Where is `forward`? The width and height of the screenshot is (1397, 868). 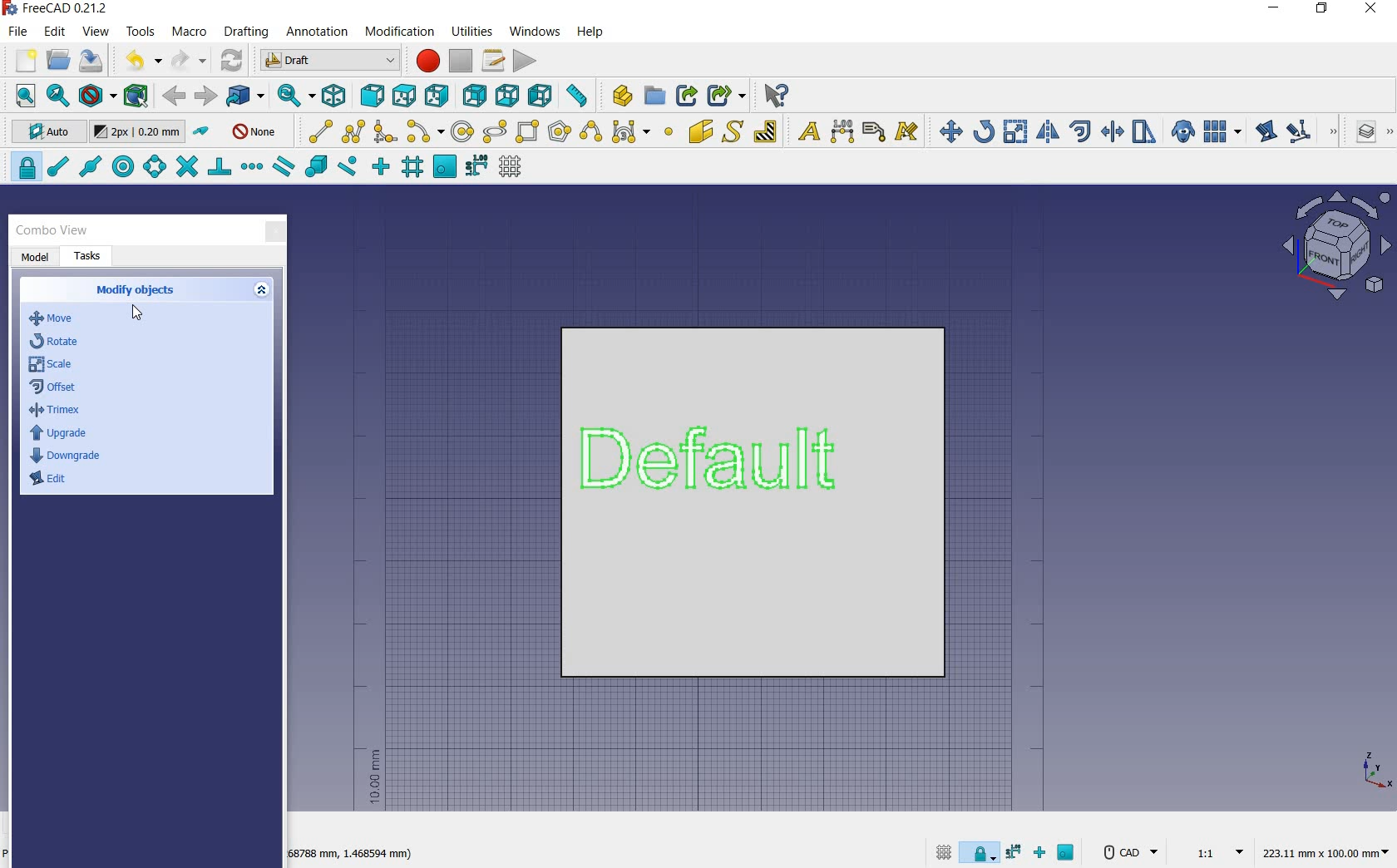 forward is located at coordinates (205, 96).